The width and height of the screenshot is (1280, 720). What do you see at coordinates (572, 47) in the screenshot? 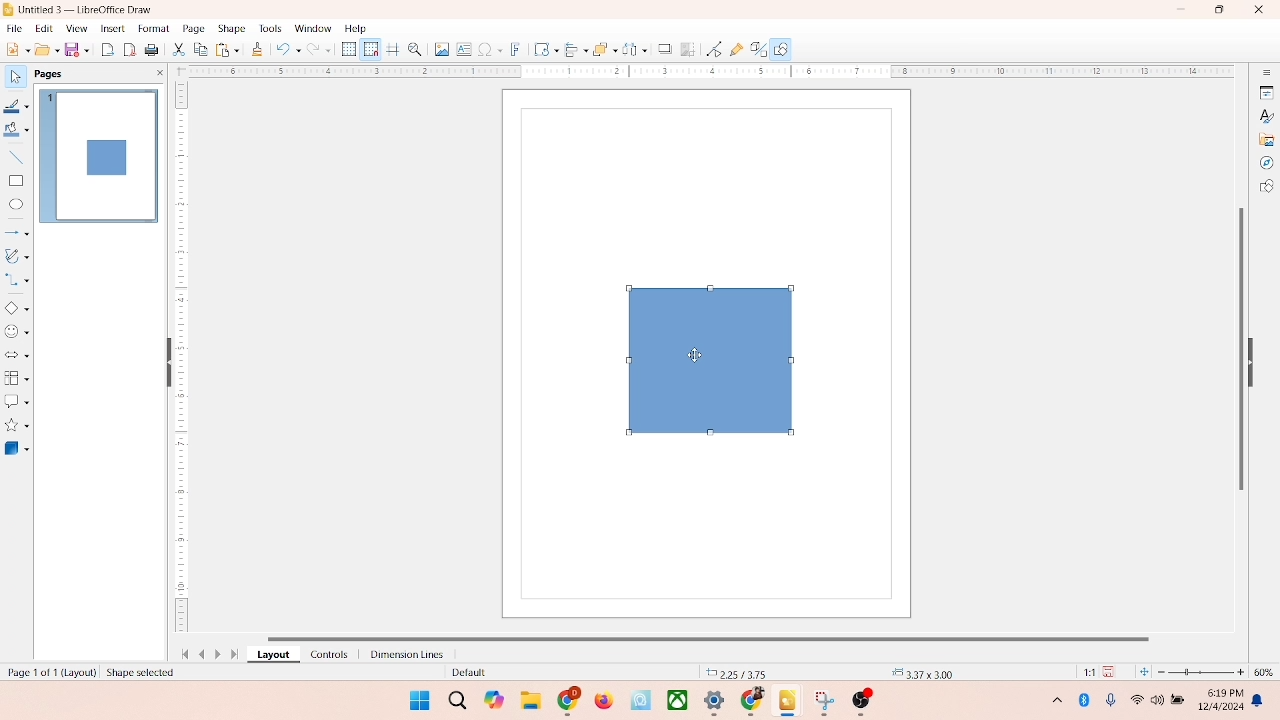
I see `allign` at bounding box center [572, 47].